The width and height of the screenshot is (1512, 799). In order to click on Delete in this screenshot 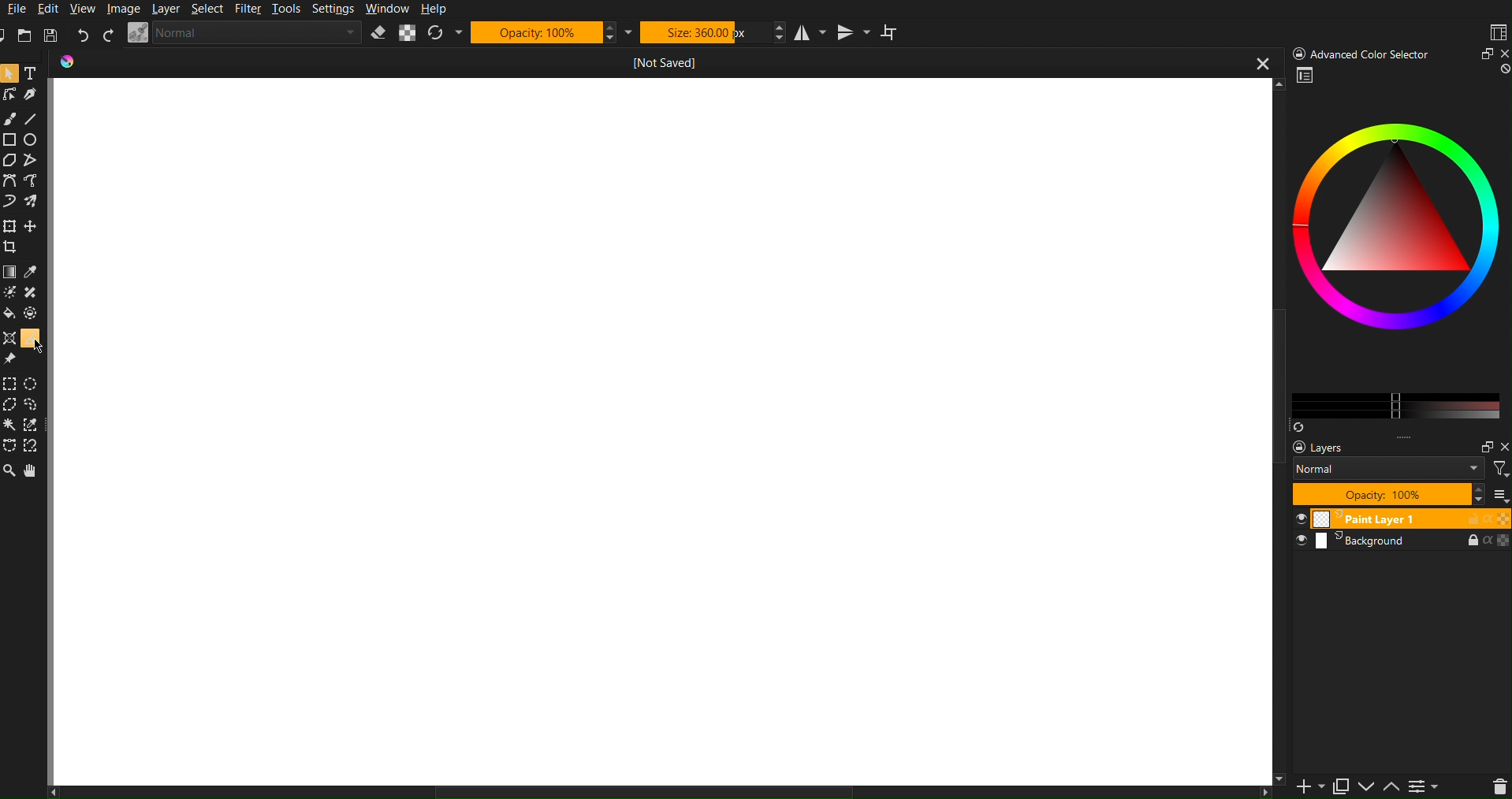, I will do `click(1498, 786)`.